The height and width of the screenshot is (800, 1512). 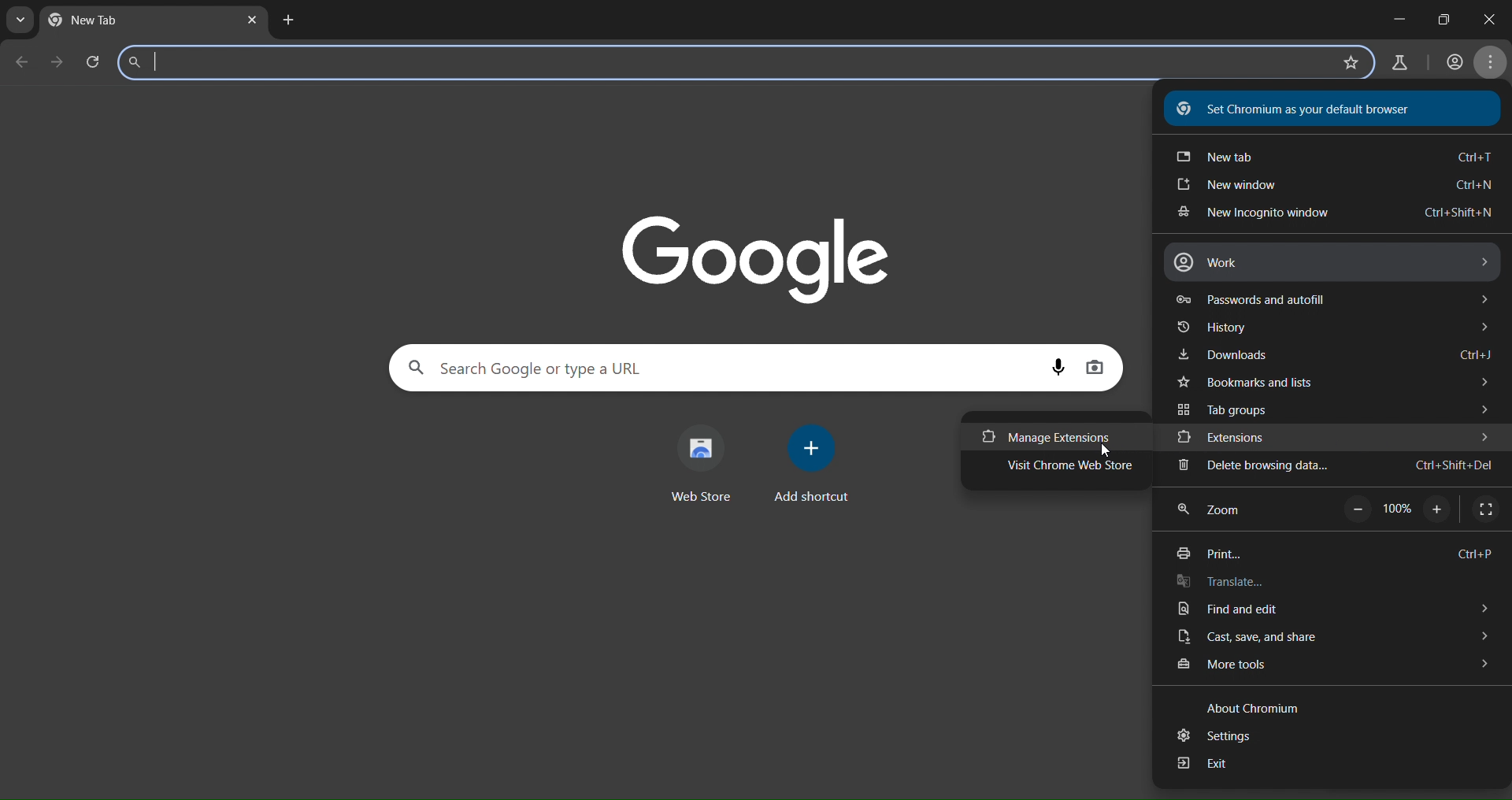 What do you see at coordinates (1396, 16) in the screenshot?
I see `minimize` at bounding box center [1396, 16].